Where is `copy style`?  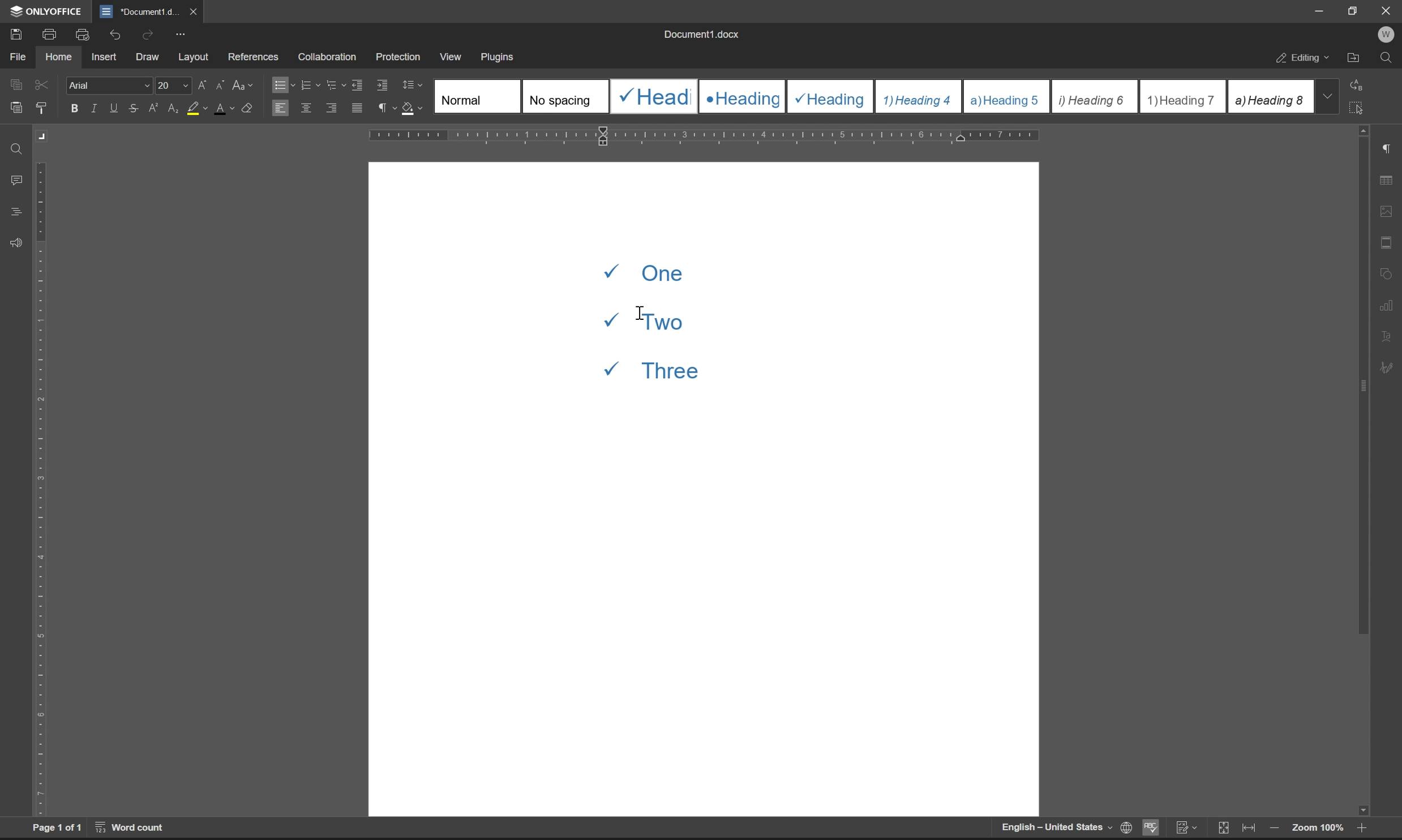
copy style is located at coordinates (41, 109).